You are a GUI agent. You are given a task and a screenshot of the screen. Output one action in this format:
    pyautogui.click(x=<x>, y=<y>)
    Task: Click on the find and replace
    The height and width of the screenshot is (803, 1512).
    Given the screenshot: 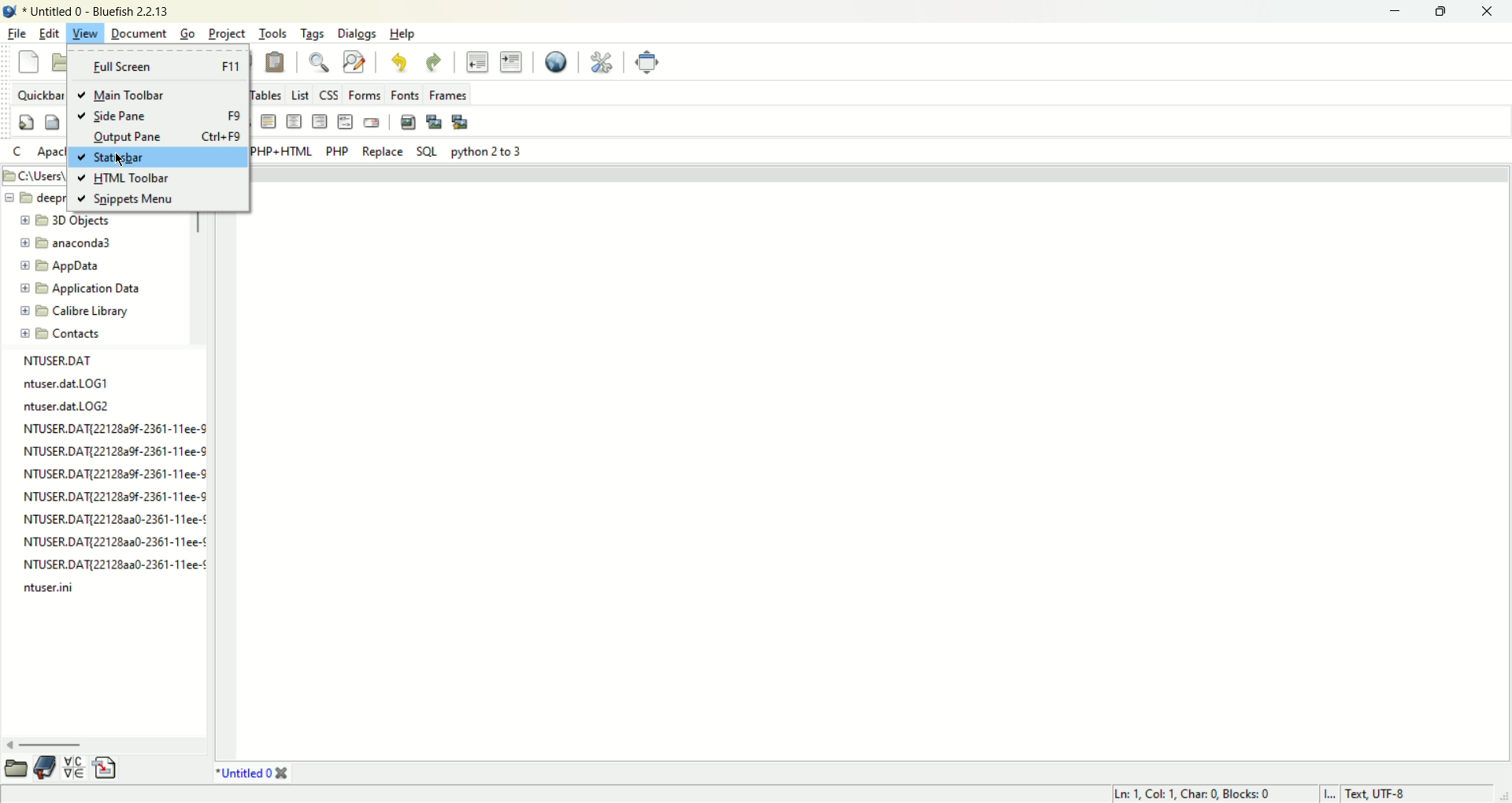 What is the action you would take?
    pyautogui.click(x=354, y=64)
    